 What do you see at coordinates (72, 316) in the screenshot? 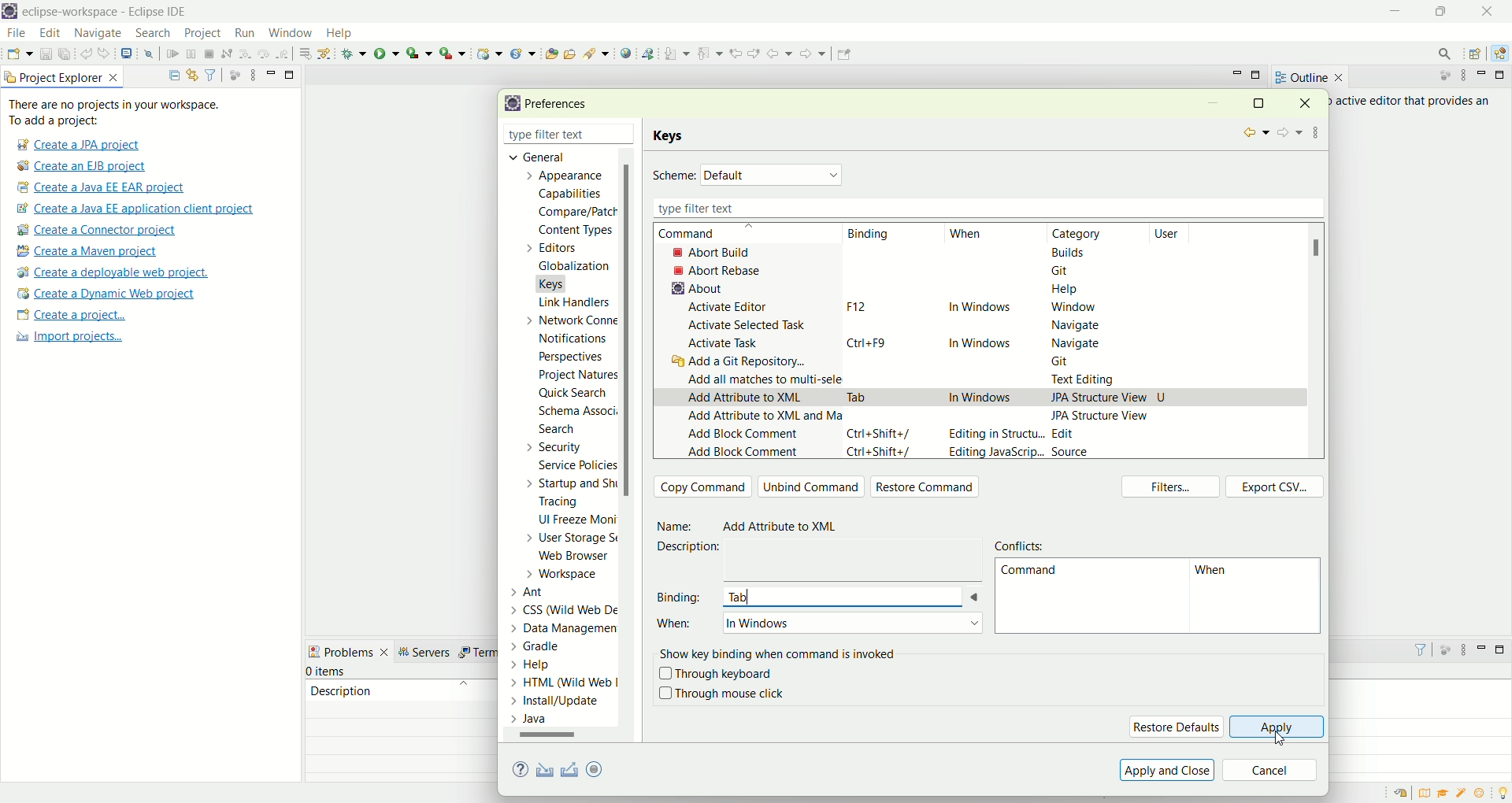
I see `create a project` at bounding box center [72, 316].